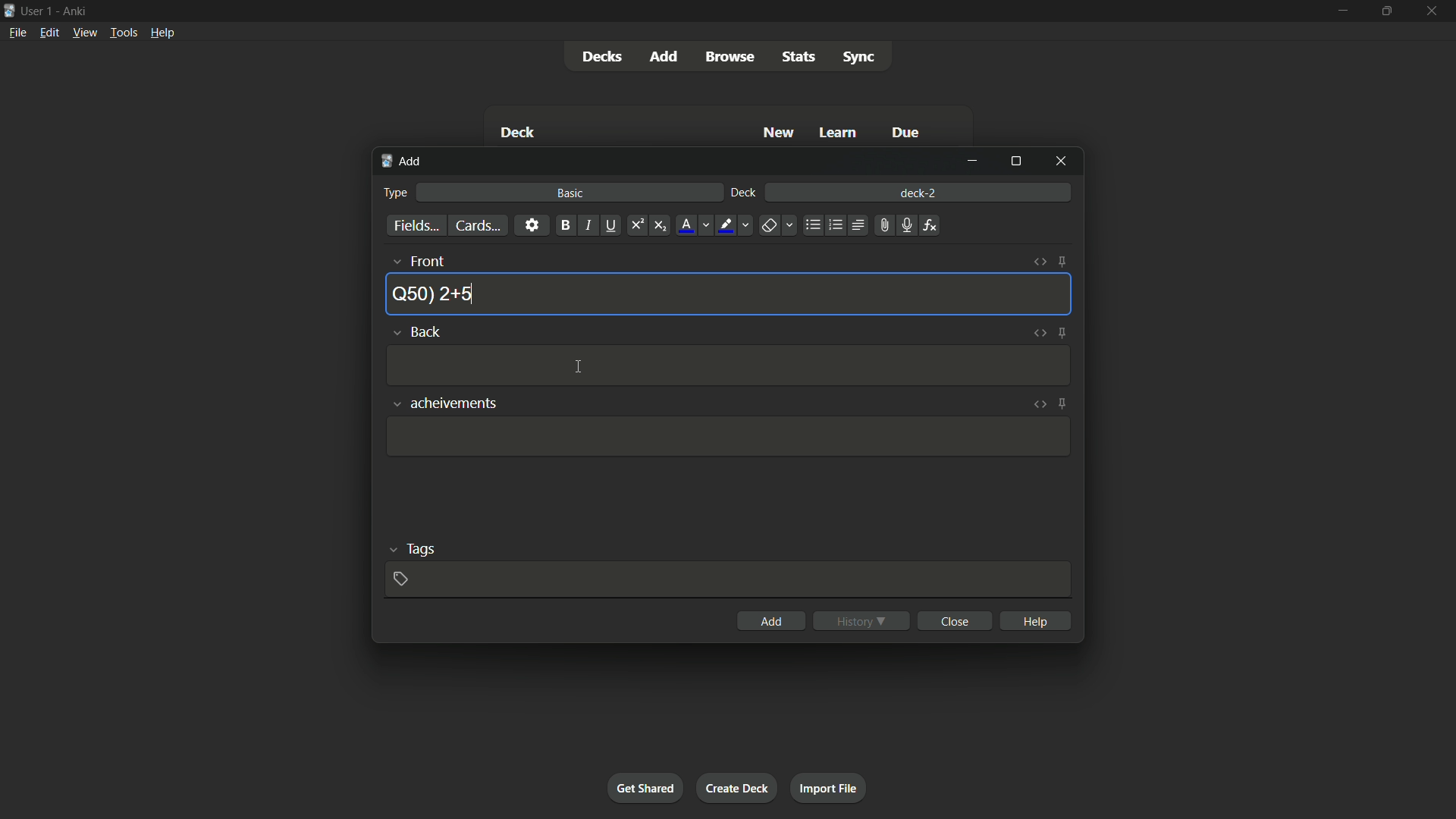  Describe the element at coordinates (954, 620) in the screenshot. I see `close` at that location.